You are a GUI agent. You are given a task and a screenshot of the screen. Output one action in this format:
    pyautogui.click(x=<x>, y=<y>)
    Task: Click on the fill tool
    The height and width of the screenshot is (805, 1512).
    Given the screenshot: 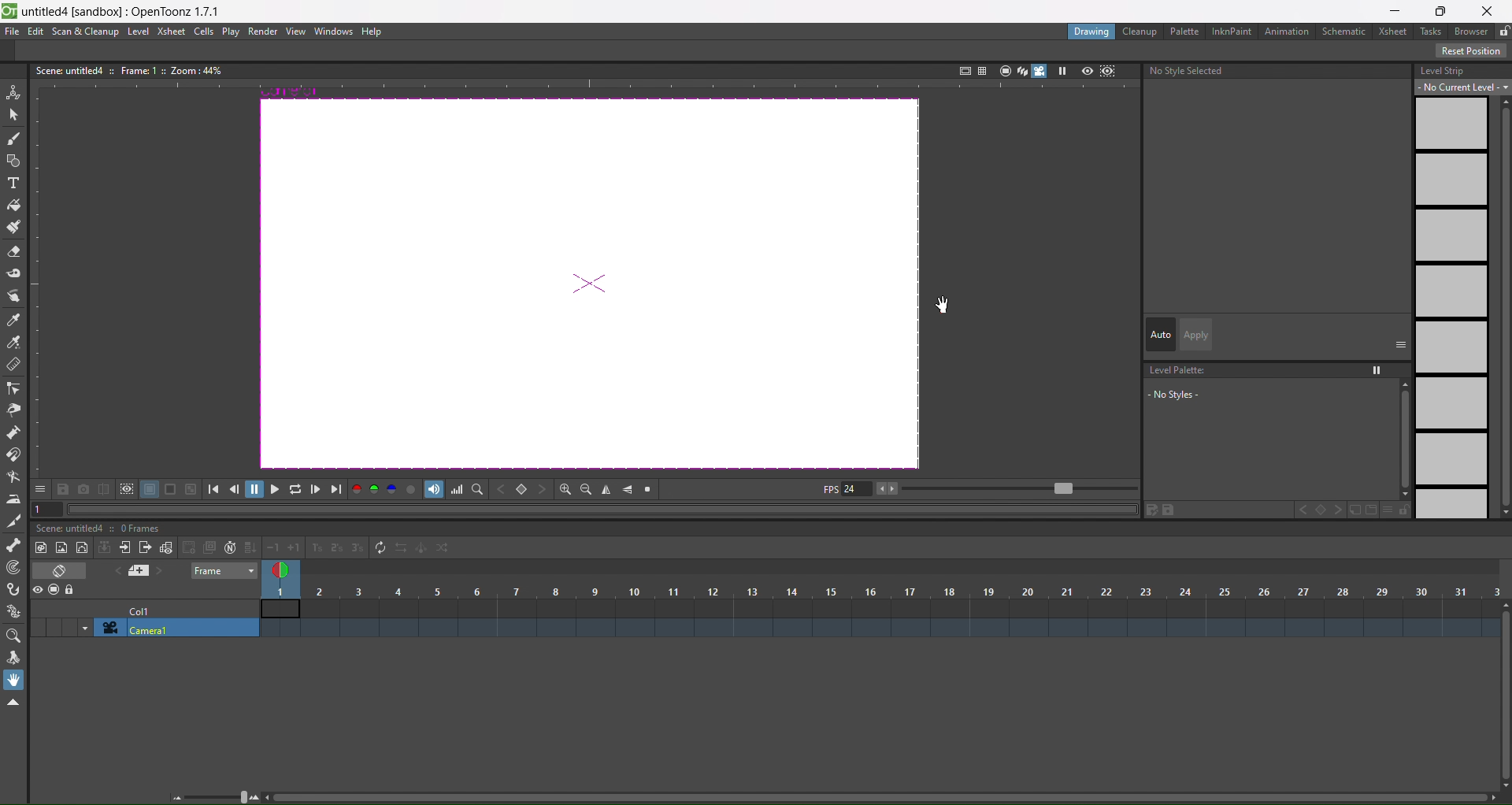 What is the action you would take?
    pyautogui.click(x=13, y=206)
    